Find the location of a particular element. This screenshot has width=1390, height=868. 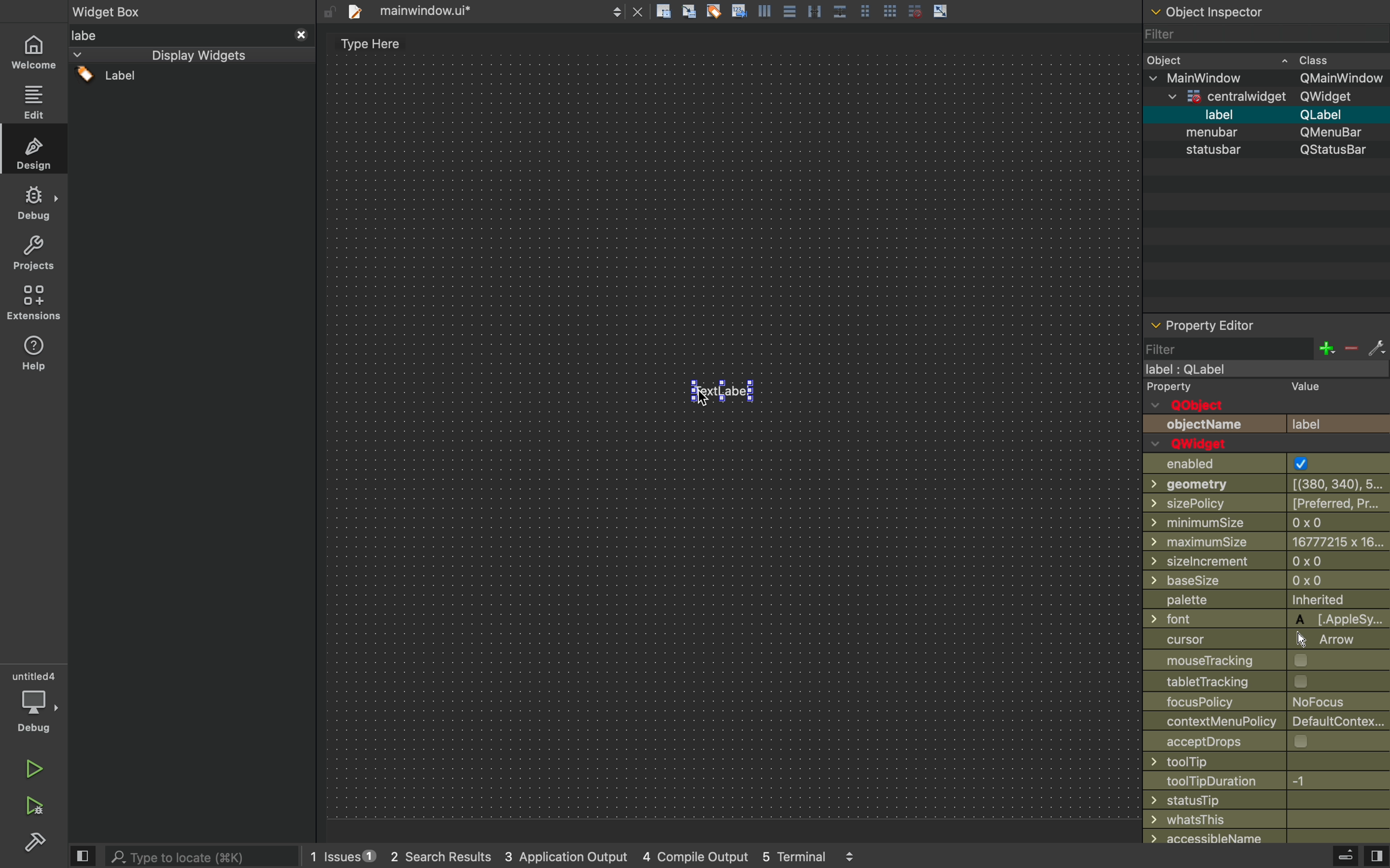

icon is located at coordinates (766, 10).